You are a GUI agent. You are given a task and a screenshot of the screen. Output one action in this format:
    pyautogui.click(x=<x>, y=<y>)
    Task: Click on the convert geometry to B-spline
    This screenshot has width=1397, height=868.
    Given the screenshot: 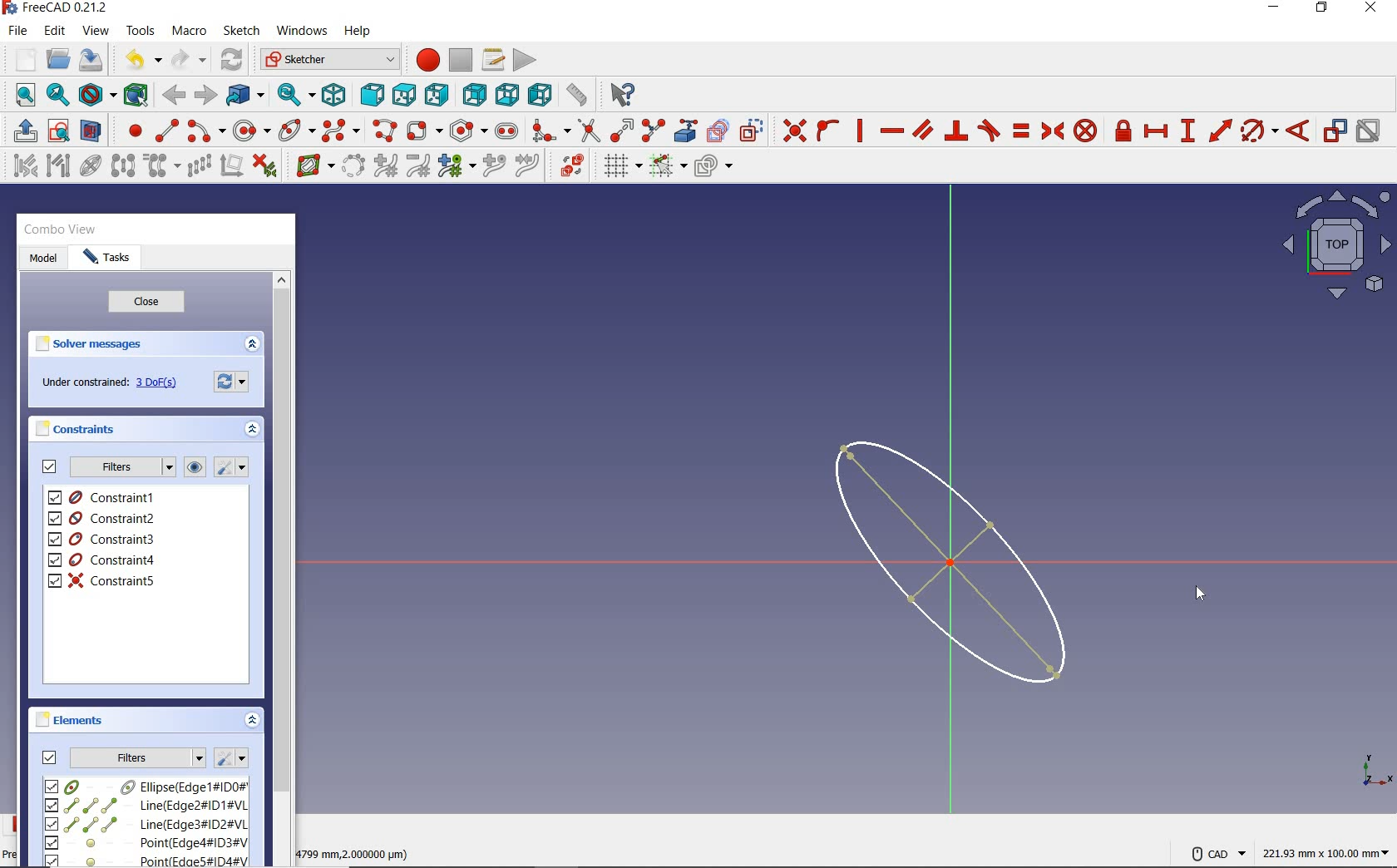 What is the action you would take?
    pyautogui.click(x=353, y=167)
    